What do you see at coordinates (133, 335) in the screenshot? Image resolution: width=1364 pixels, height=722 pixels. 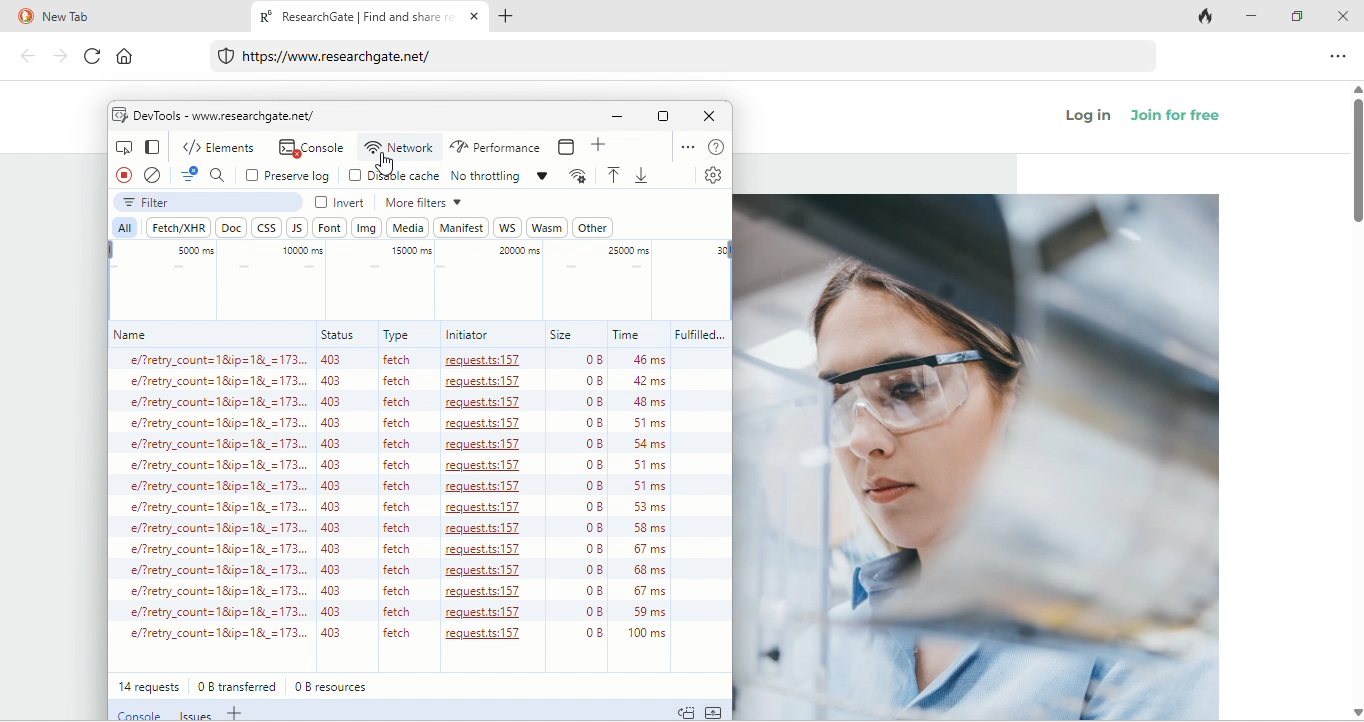 I see `name` at bounding box center [133, 335].